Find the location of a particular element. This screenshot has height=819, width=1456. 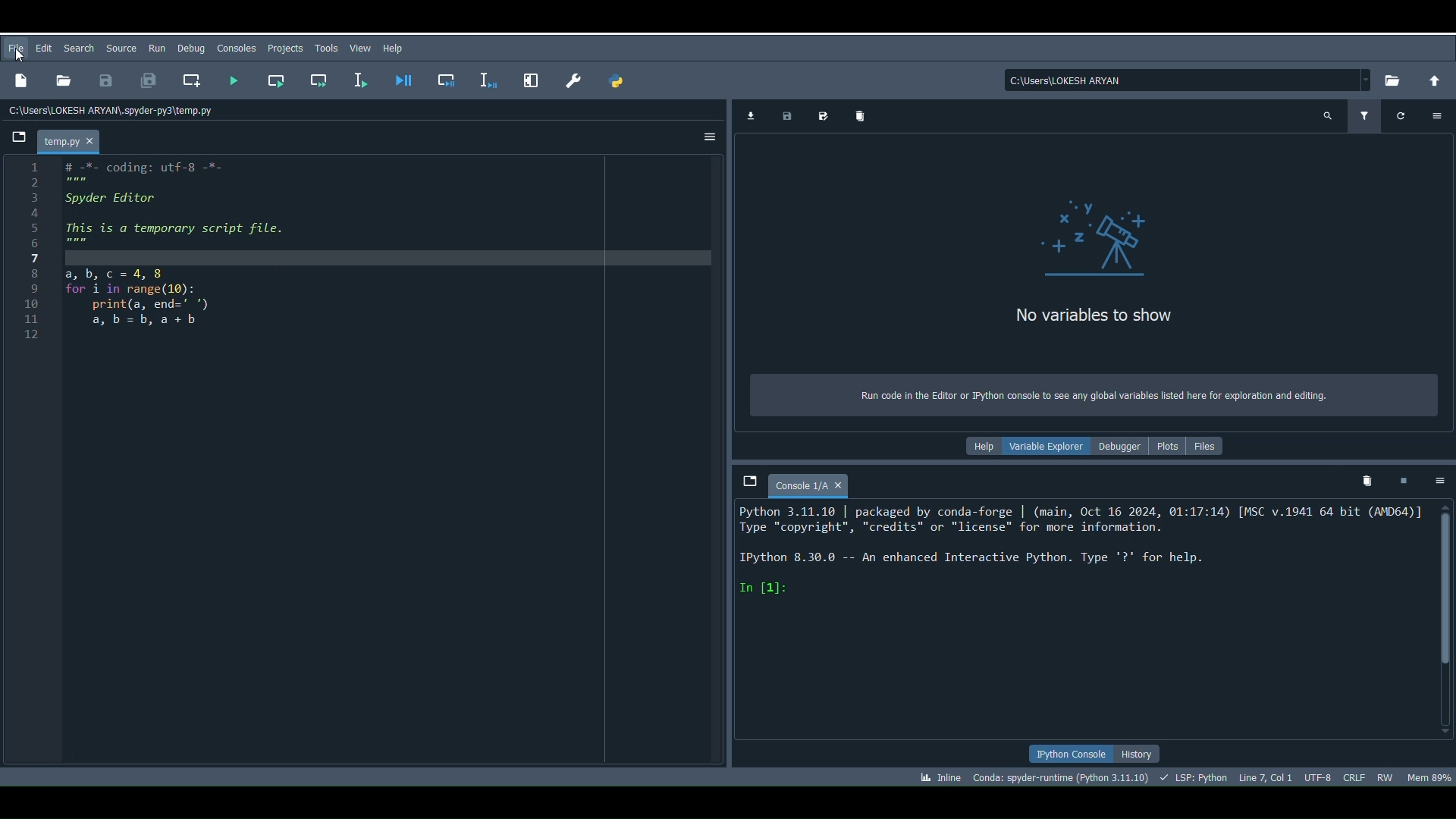

File  is located at coordinates (18, 48).